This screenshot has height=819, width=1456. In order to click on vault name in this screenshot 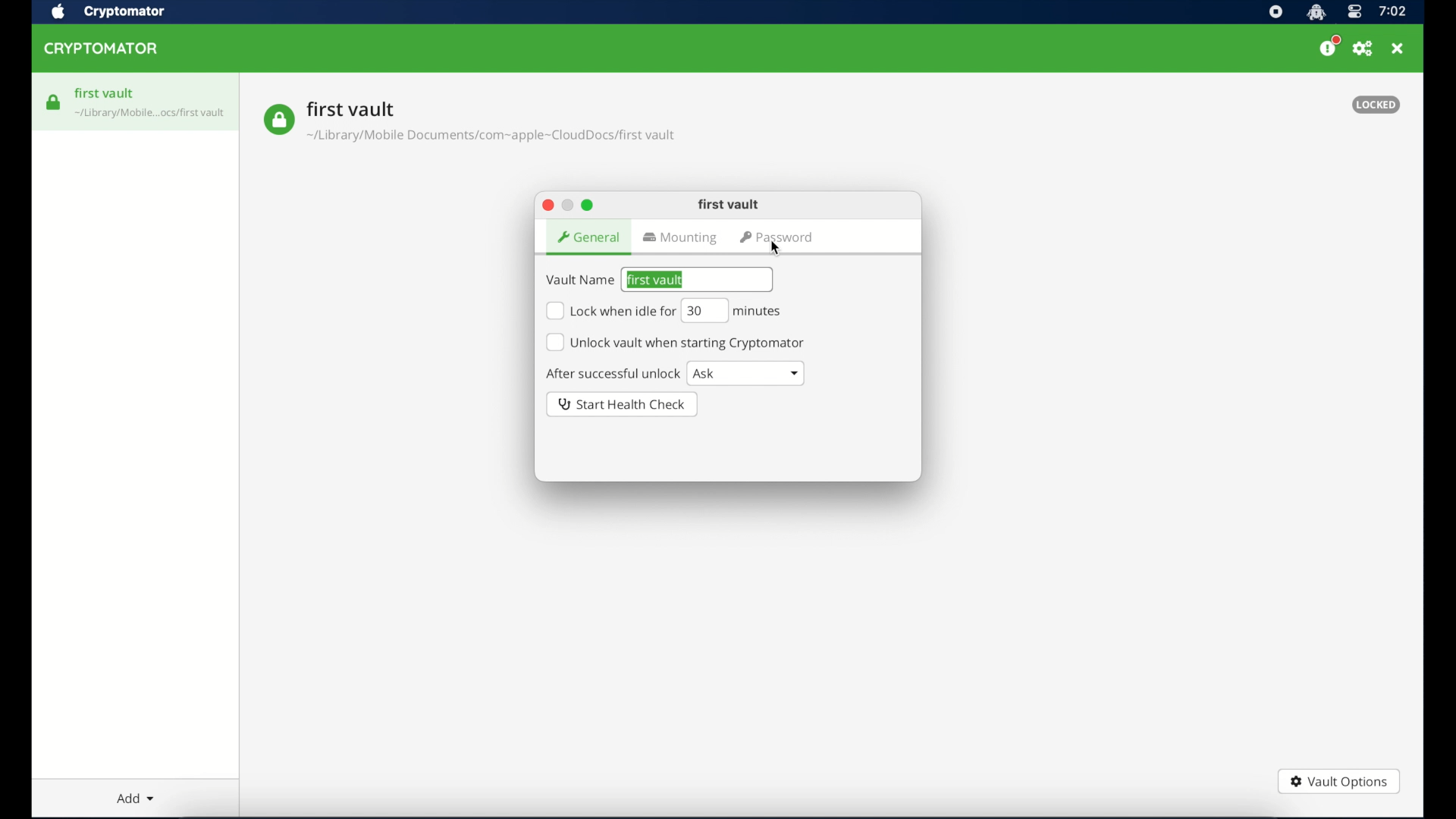, I will do `click(351, 108)`.